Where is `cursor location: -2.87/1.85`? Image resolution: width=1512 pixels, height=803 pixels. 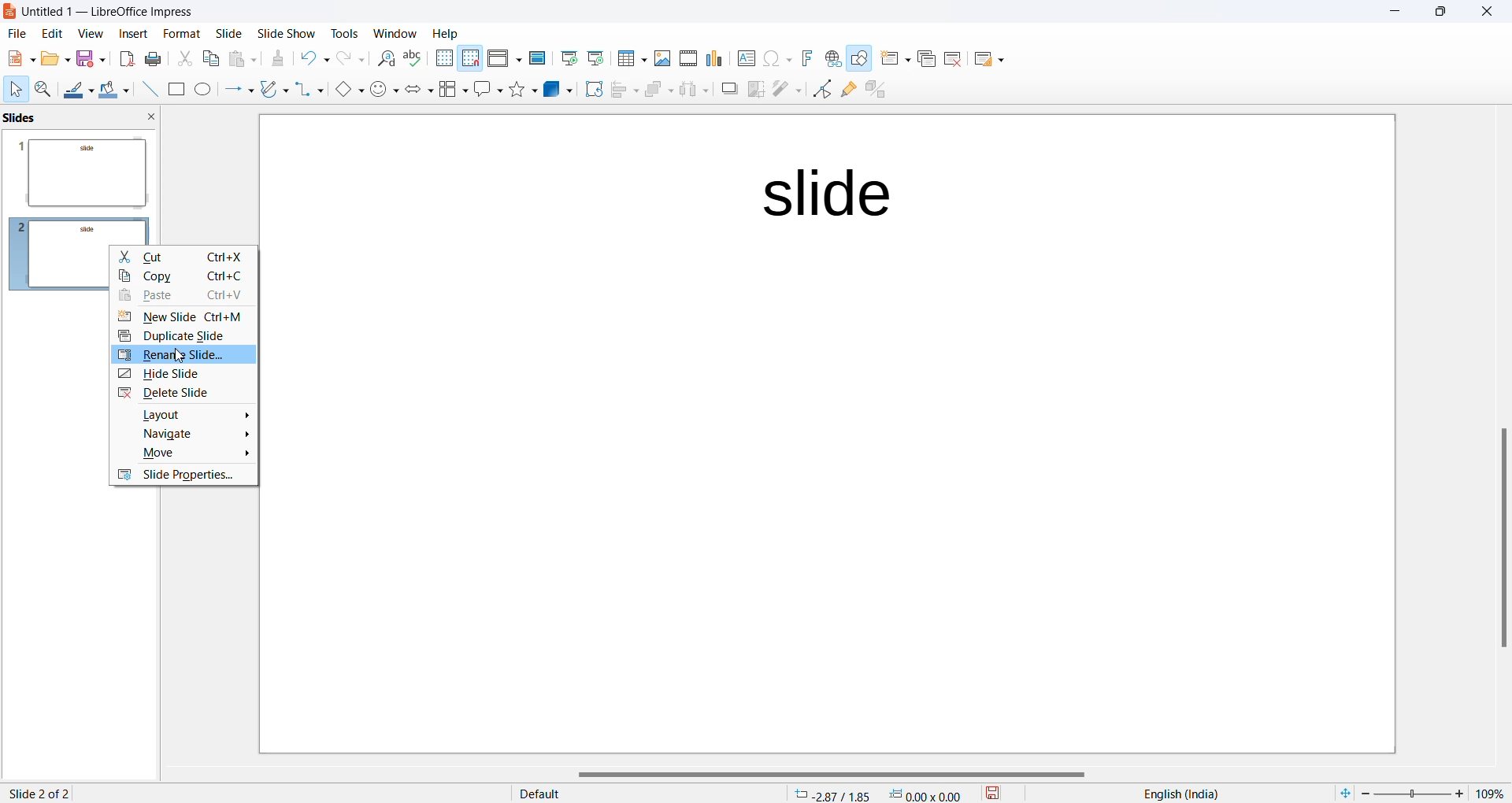 cursor location: -2.87/1.85 is located at coordinates (832, 794).